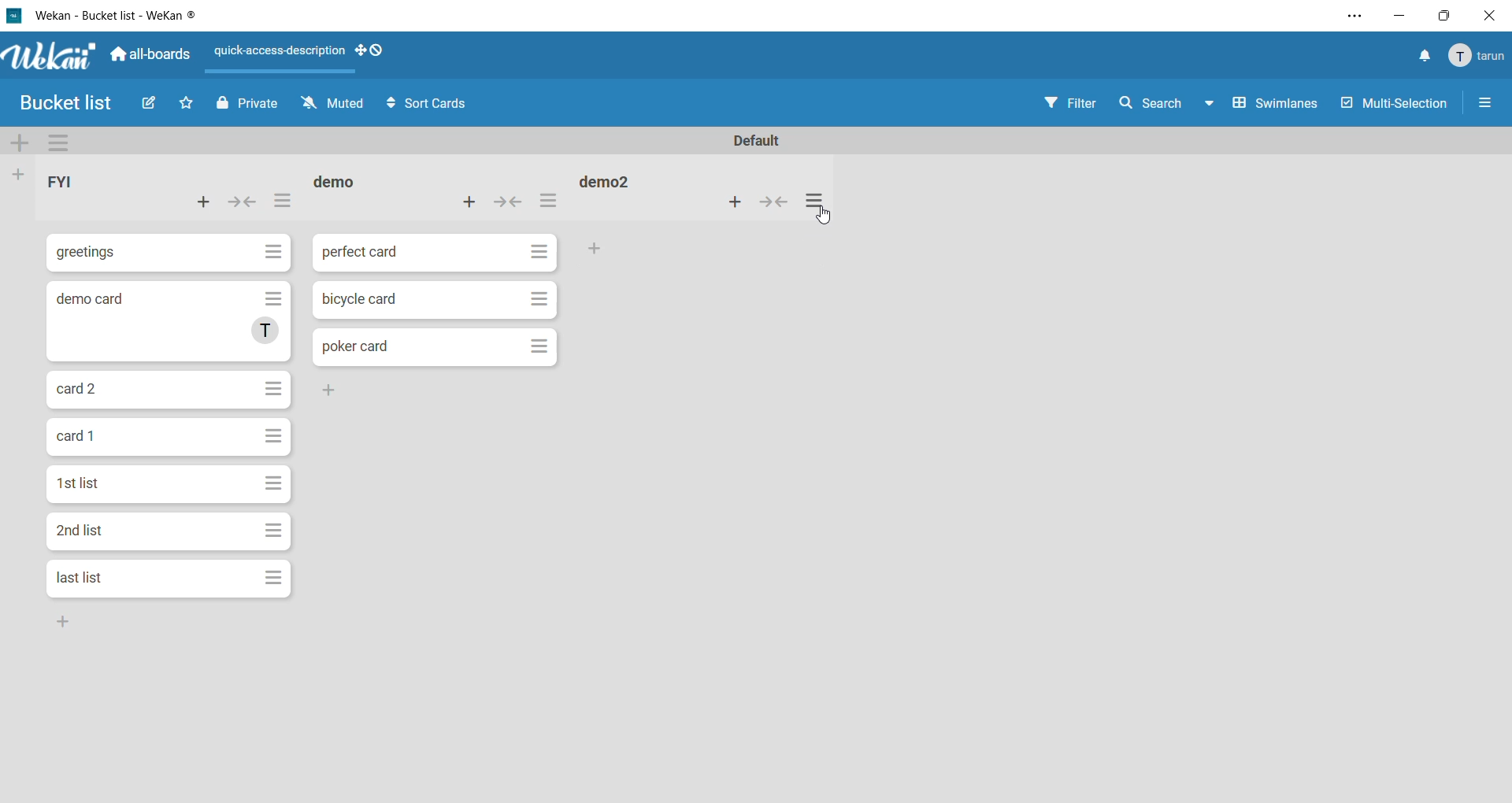  What do you see at coordinates (154, 104) in the screenshot?
I see `Edit` at bounding box center [154, 104].